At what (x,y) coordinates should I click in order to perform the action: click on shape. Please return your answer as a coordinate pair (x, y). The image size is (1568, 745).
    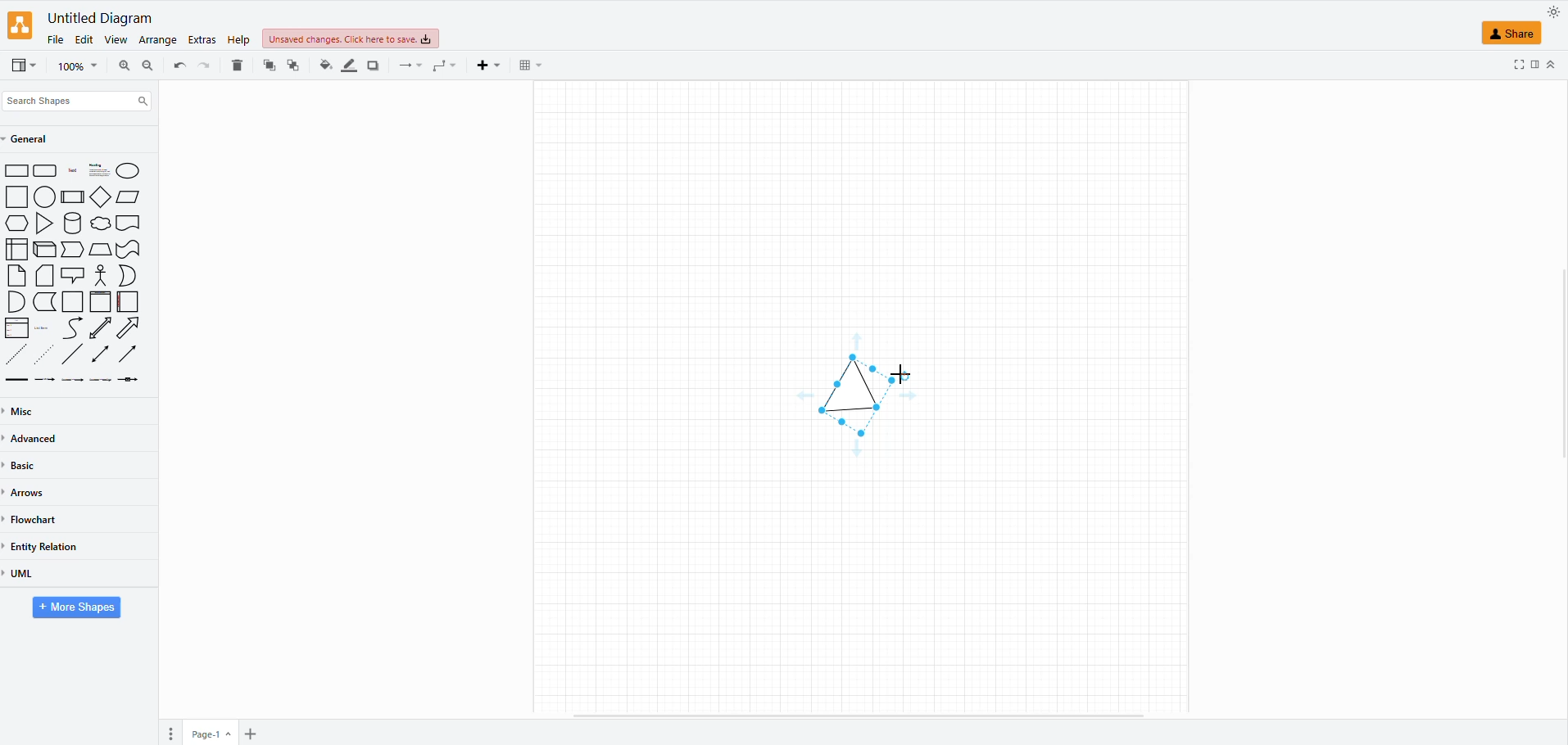
    Looking at the image, I should click on (1520, 34).